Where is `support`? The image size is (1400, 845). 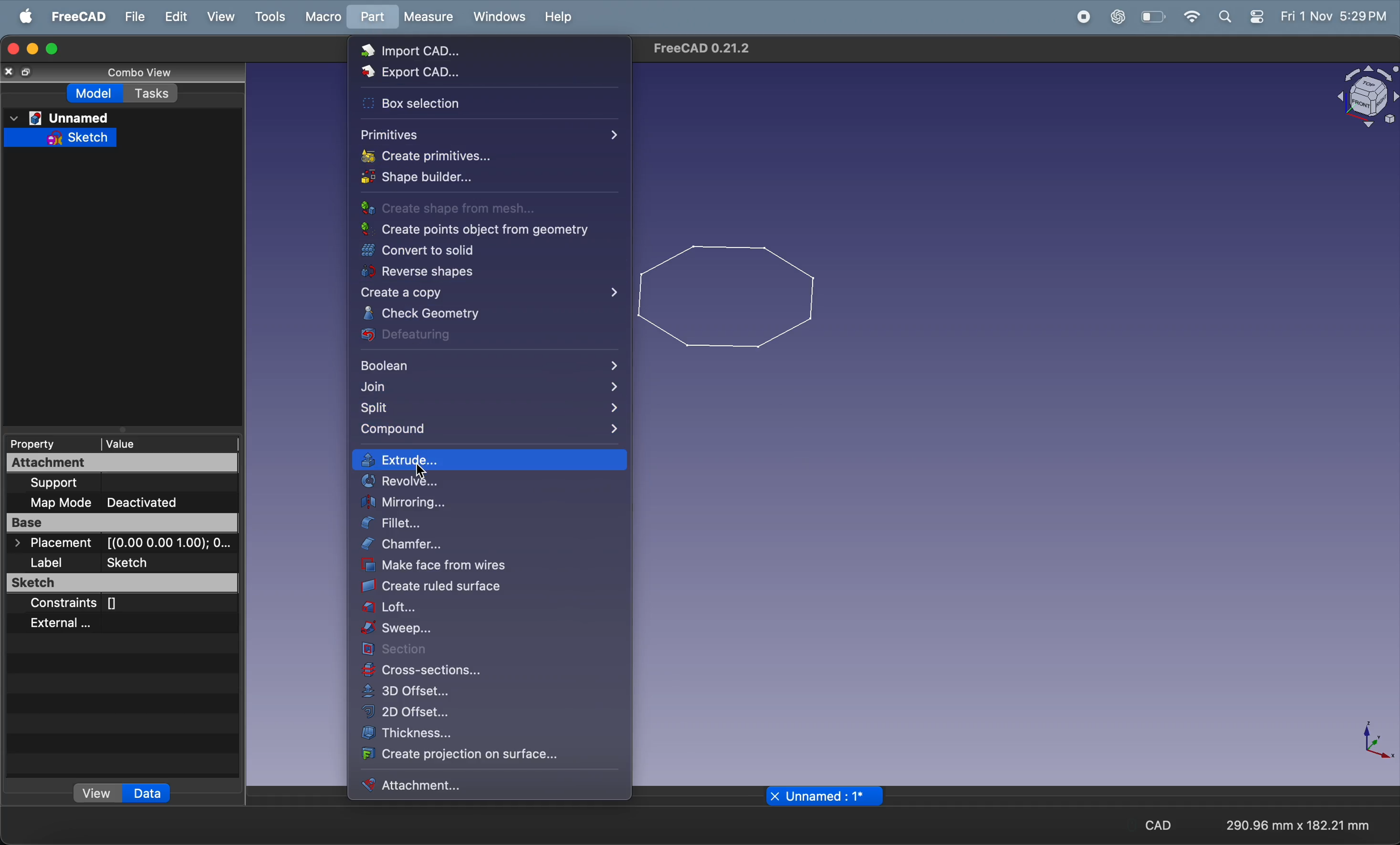 support is located at coordinates (84, 484).